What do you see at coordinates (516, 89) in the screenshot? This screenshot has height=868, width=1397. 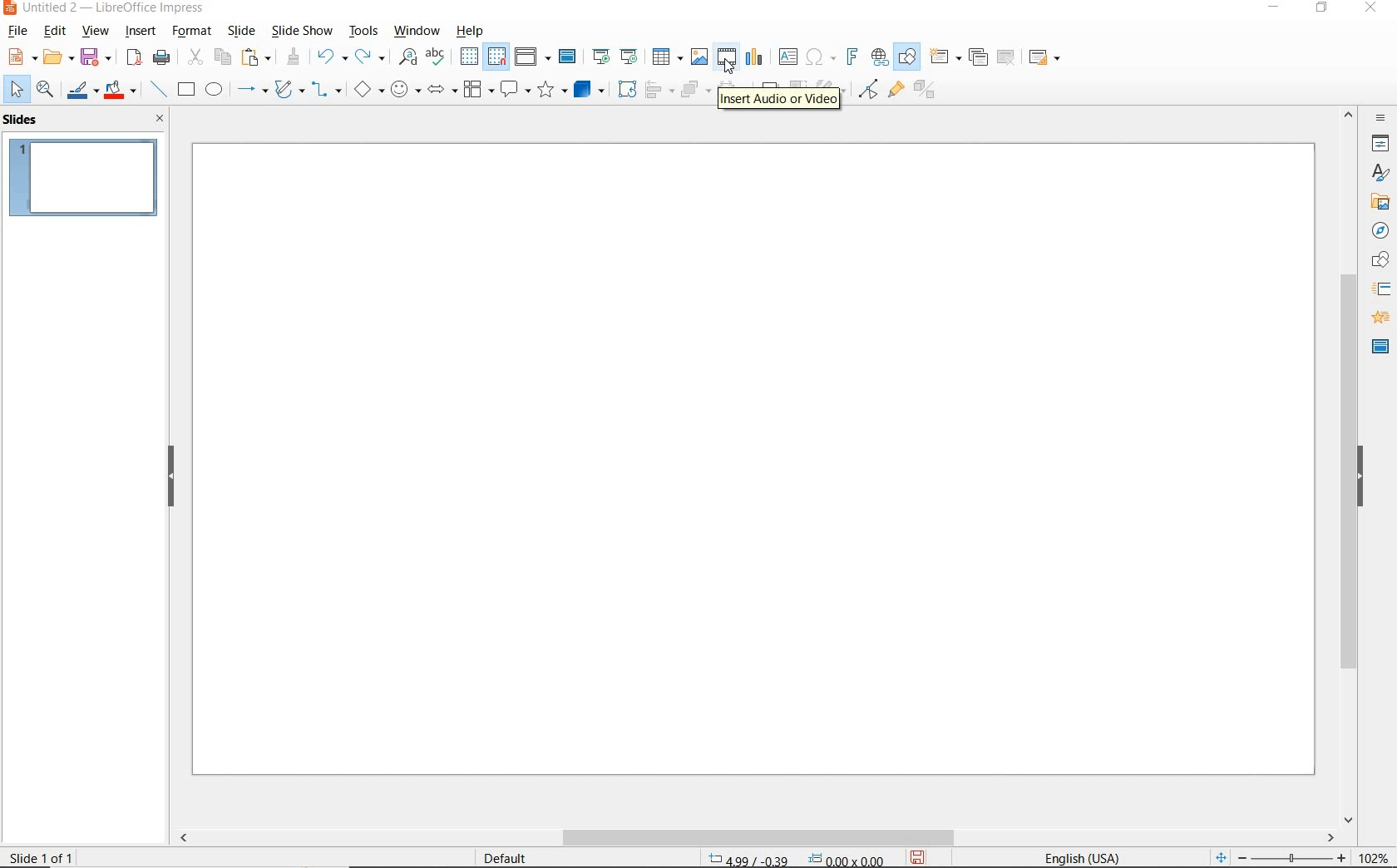 I see `CALLOUT SHAPES` at bounding box center [516, 89].